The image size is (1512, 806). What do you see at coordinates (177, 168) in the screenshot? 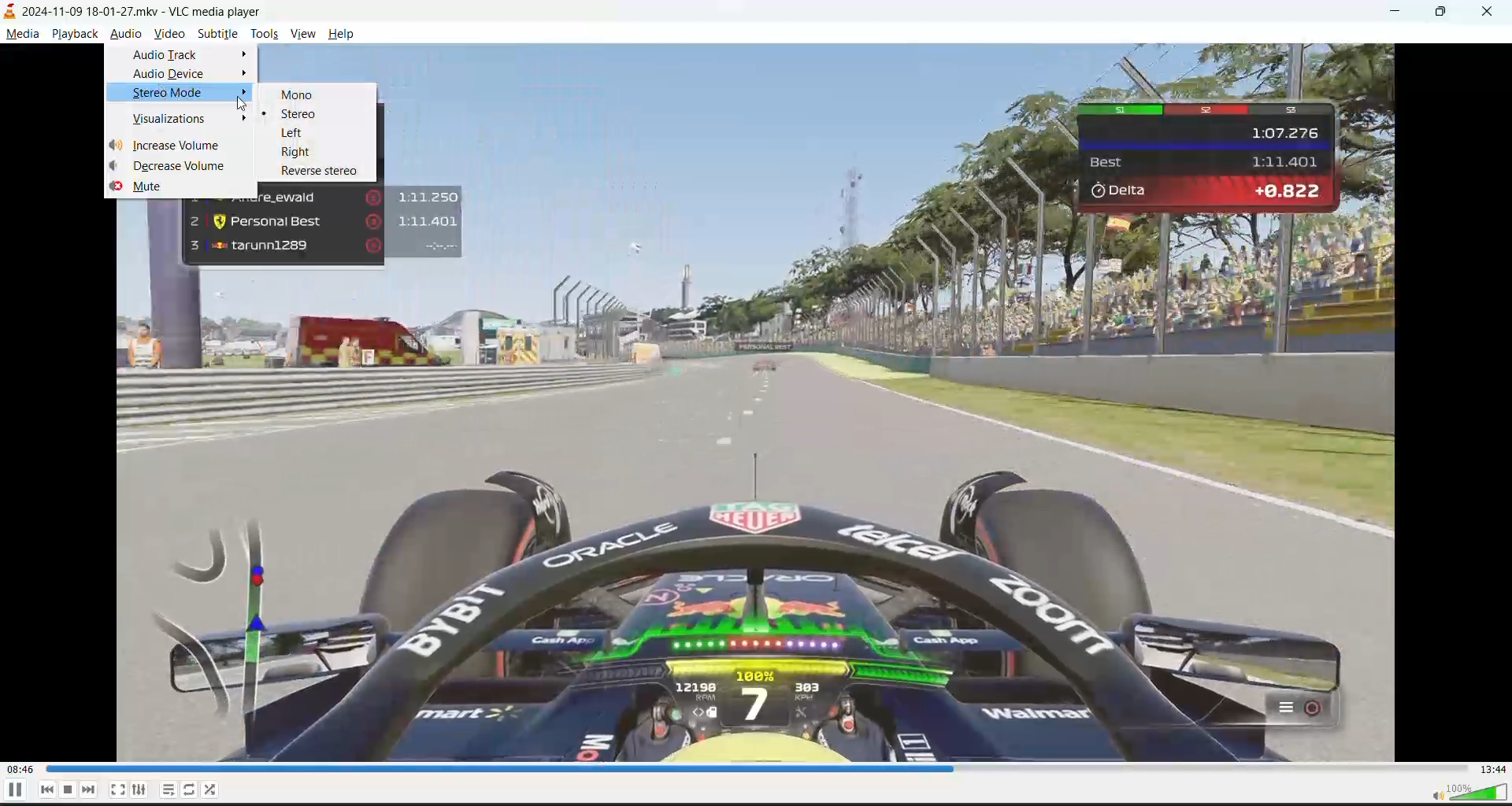
I see `decrease volume` at bounding box center [177, 168].